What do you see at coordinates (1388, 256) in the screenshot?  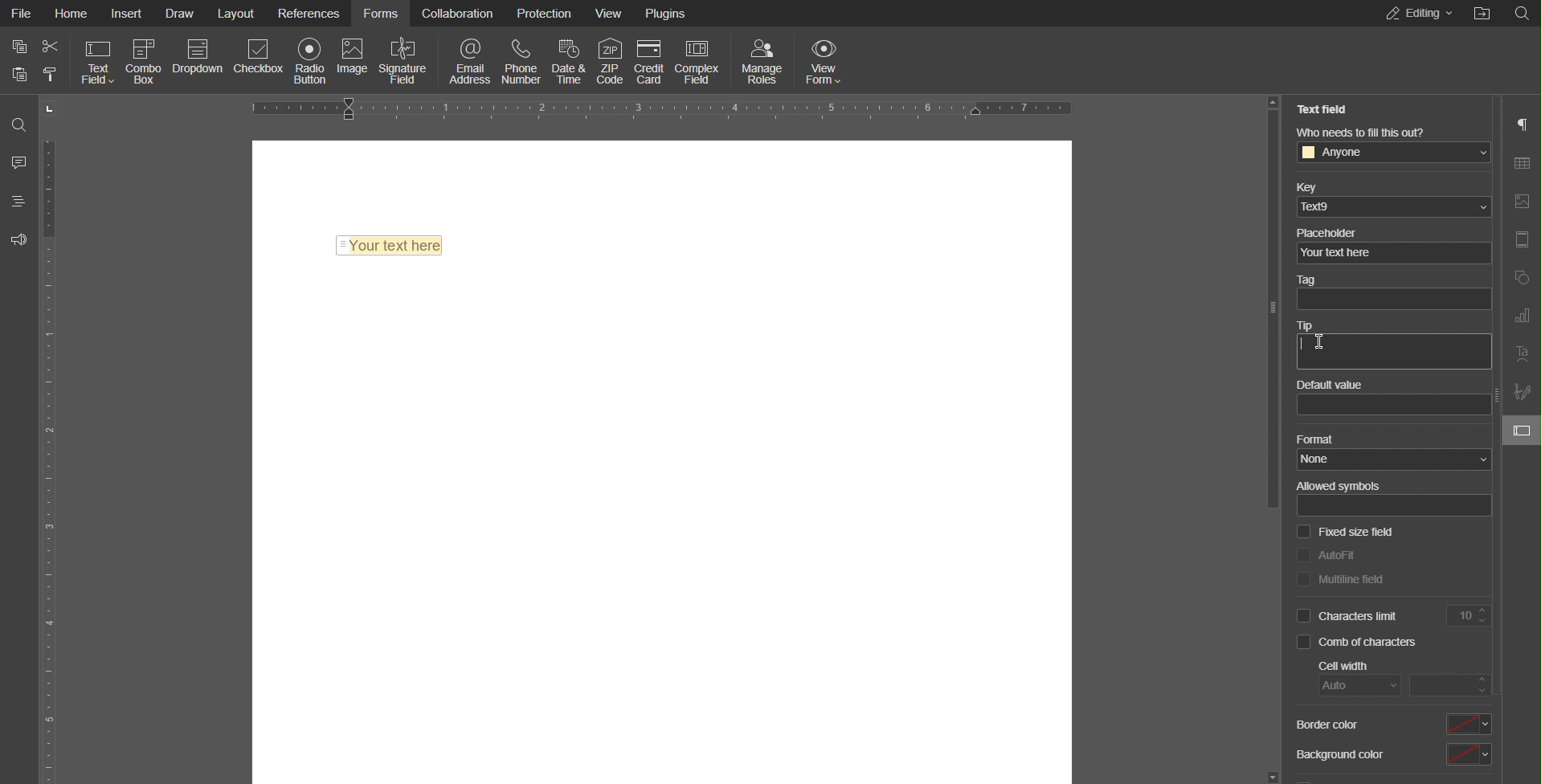 I see `your text here` at bounding box center [1388, 256].